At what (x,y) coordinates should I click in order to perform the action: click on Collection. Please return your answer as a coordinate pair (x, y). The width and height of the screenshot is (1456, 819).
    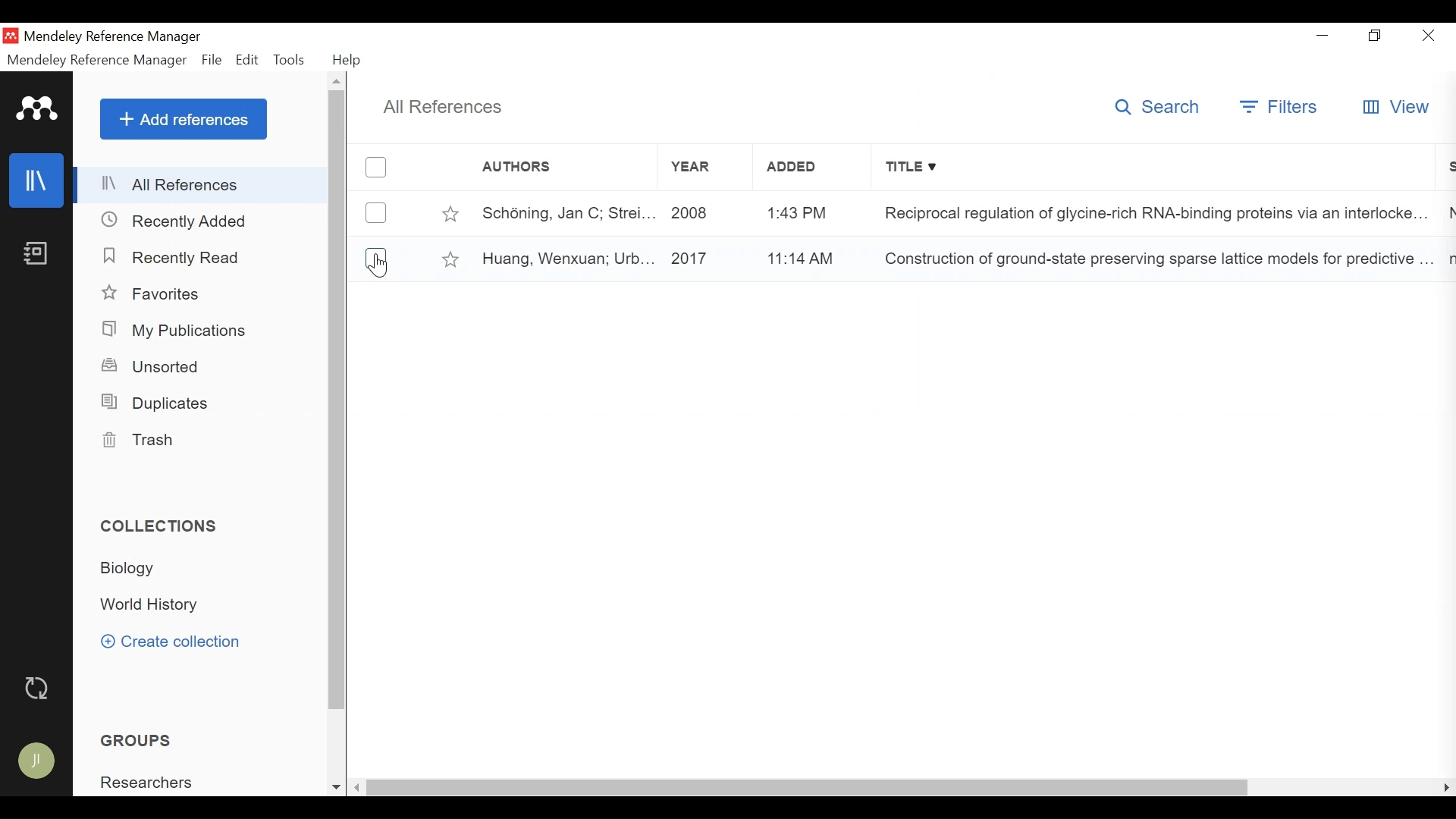
    Looking at the image, I should click on (163, 526).